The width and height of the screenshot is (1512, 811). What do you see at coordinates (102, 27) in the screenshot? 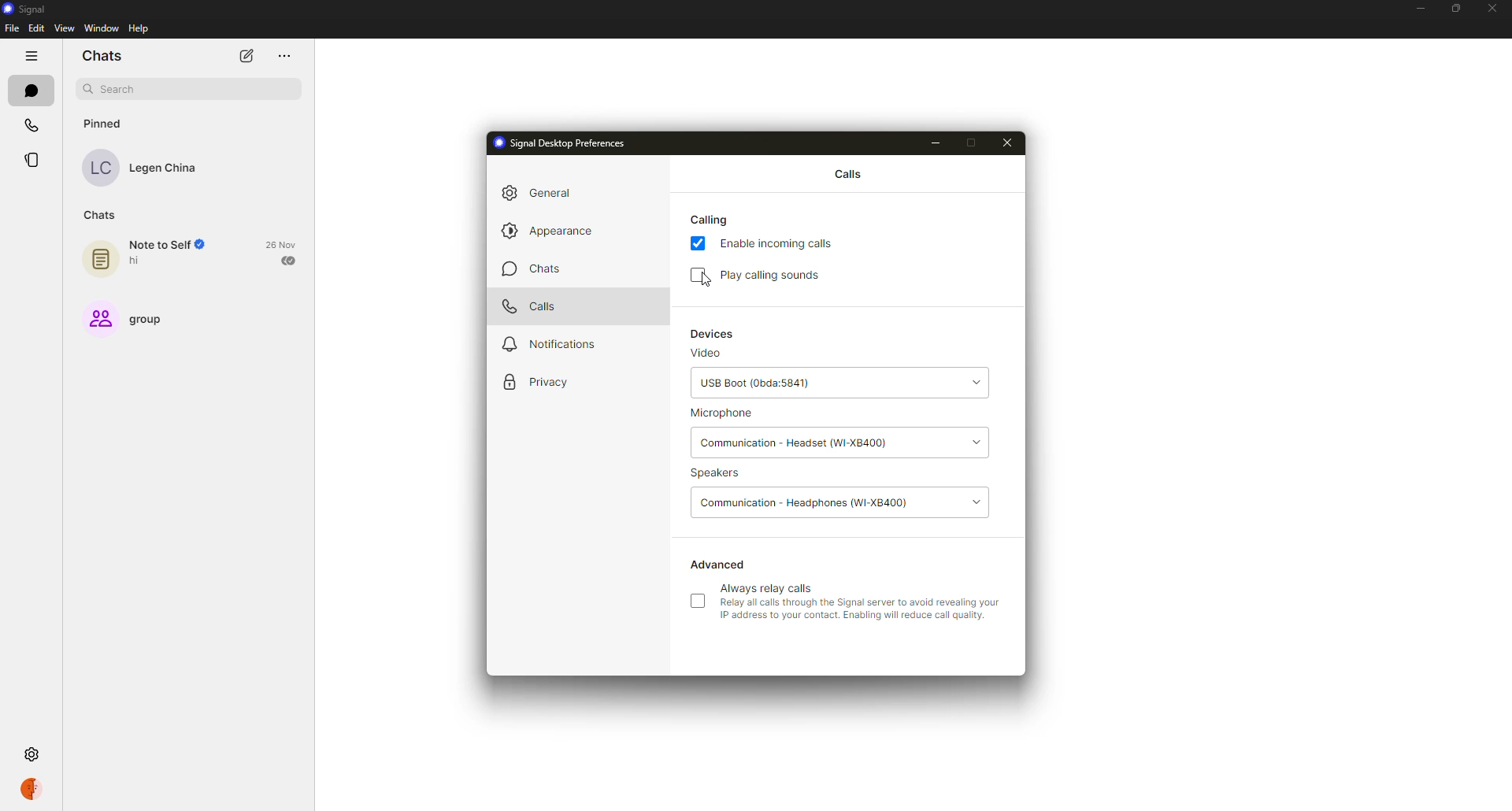
I see `window` at bounding box center [102, 27].